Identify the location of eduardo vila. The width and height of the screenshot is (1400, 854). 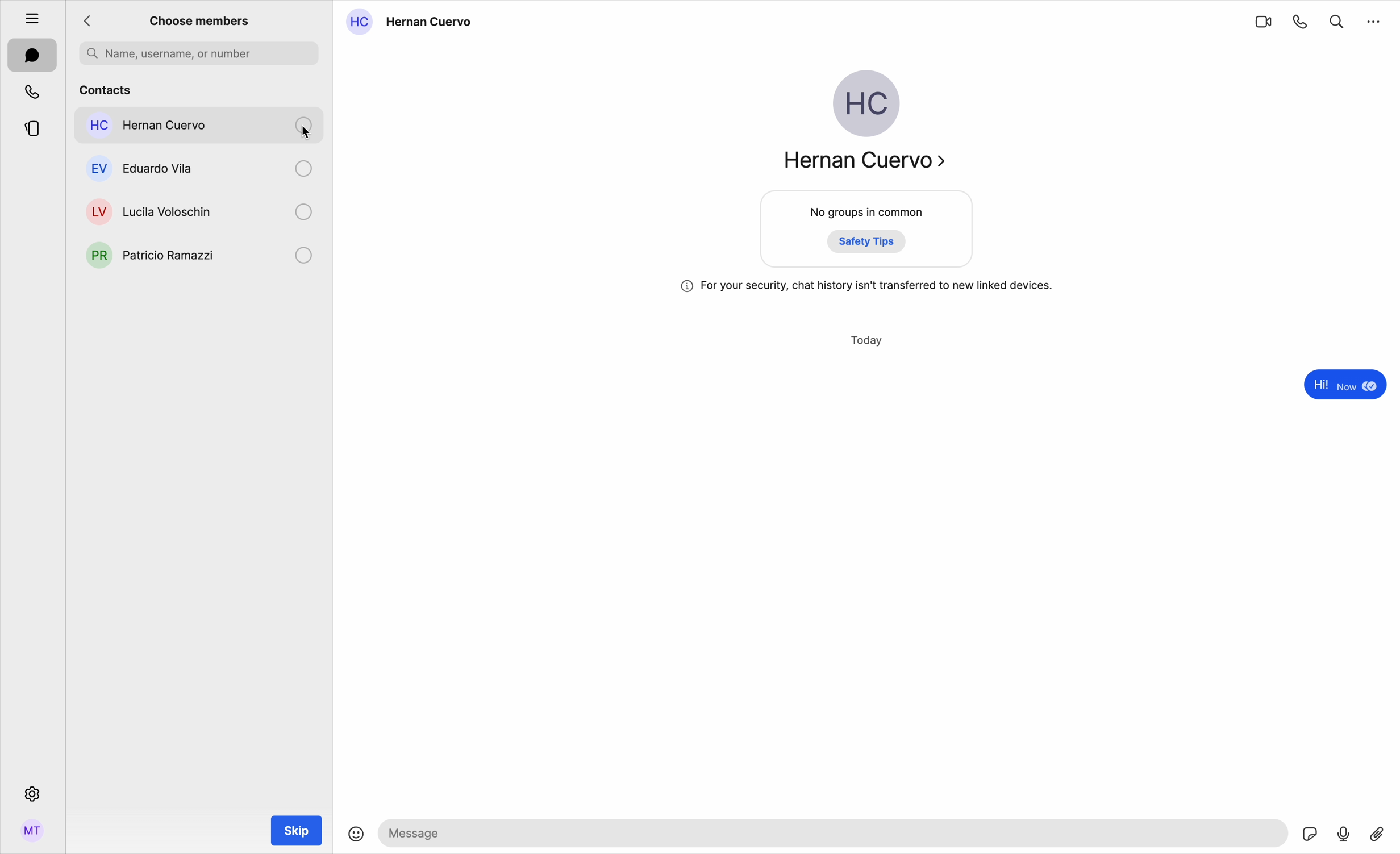
(148, 168).